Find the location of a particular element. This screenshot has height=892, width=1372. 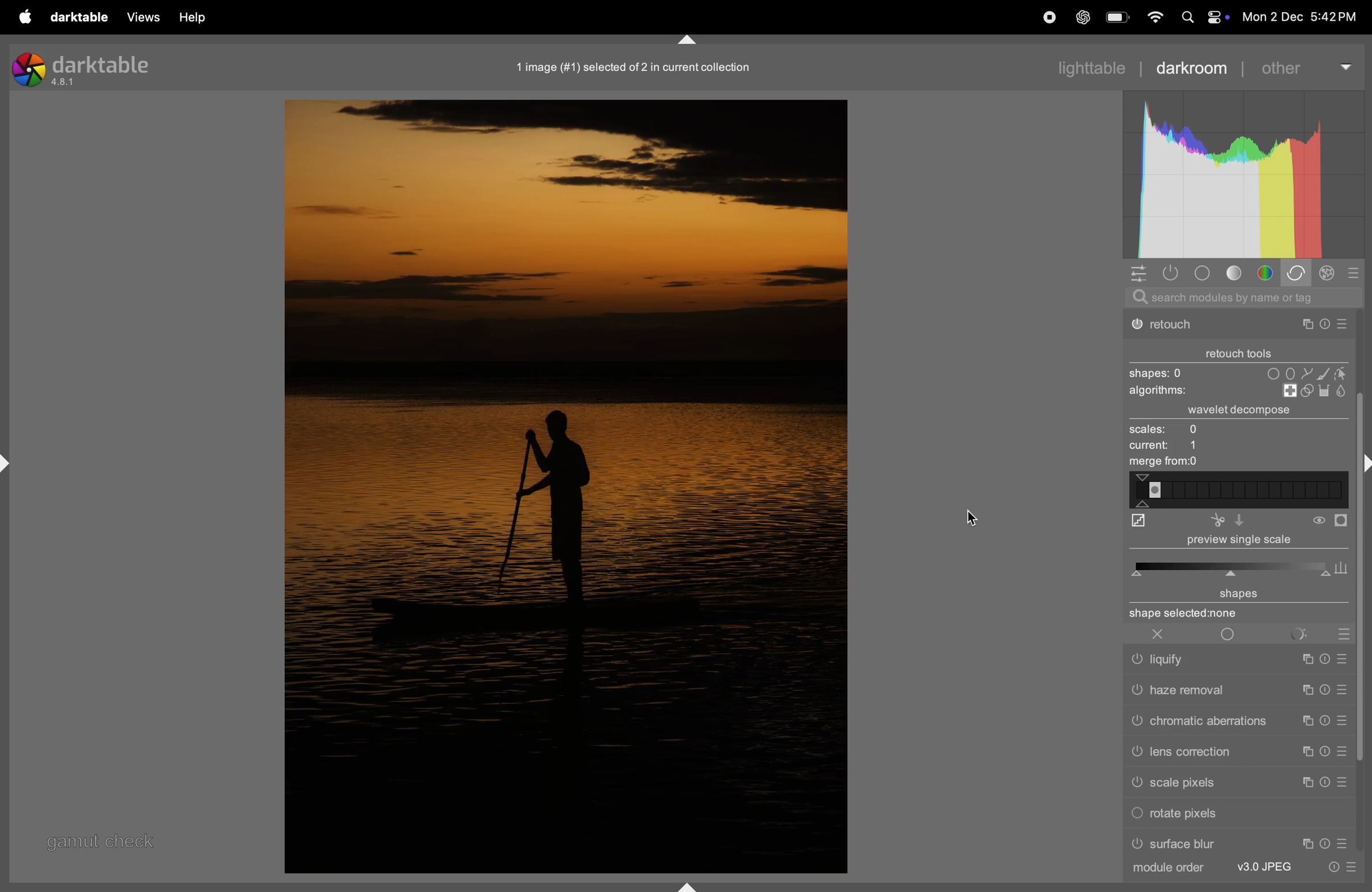

colors is located at coordinates (1268, 273).